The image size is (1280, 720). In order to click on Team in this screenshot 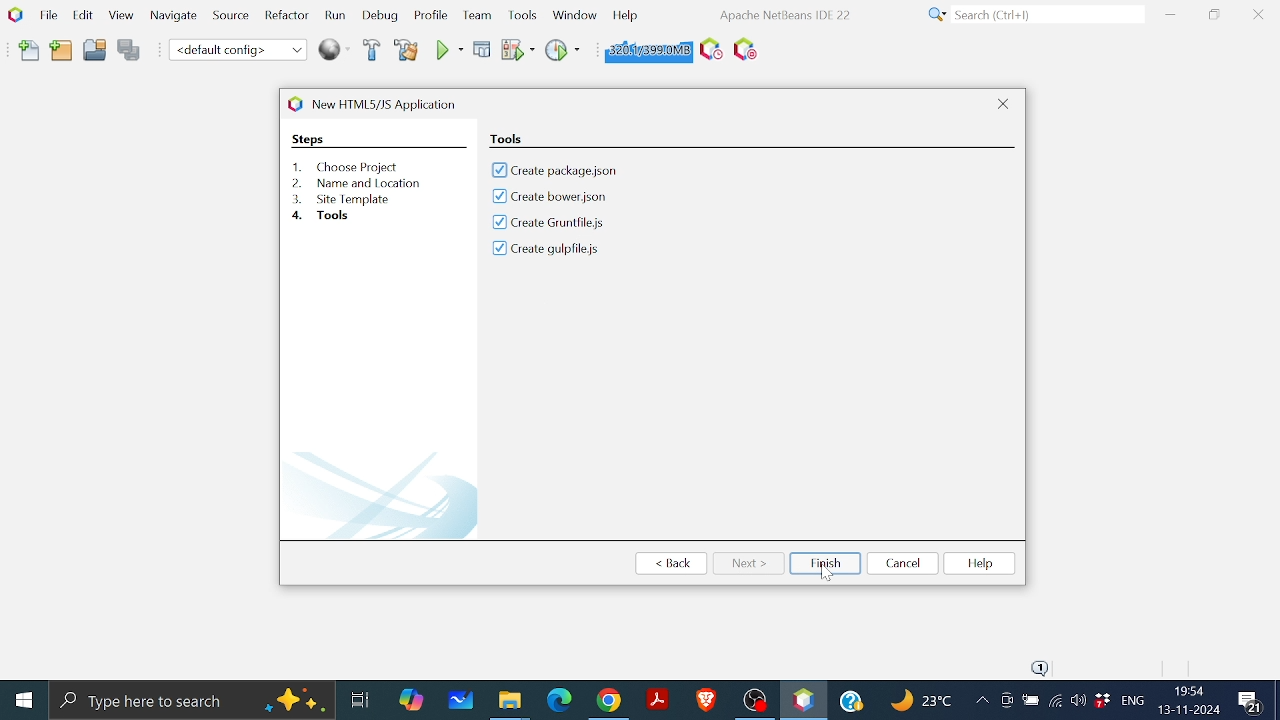, I will do `click(475, 16)`.